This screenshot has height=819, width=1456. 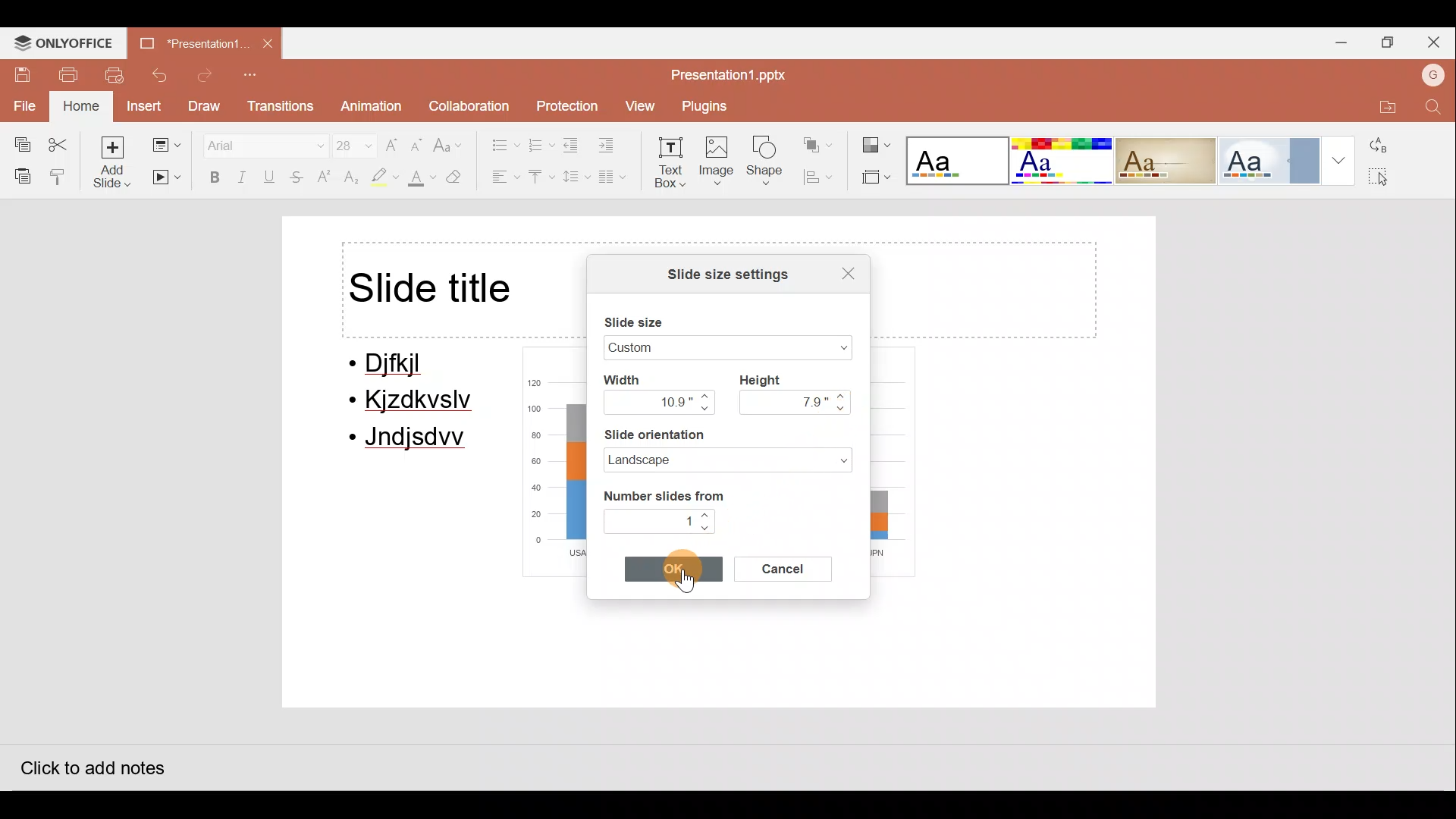 I want to click on Navigate up, so click(x=705, y=395).